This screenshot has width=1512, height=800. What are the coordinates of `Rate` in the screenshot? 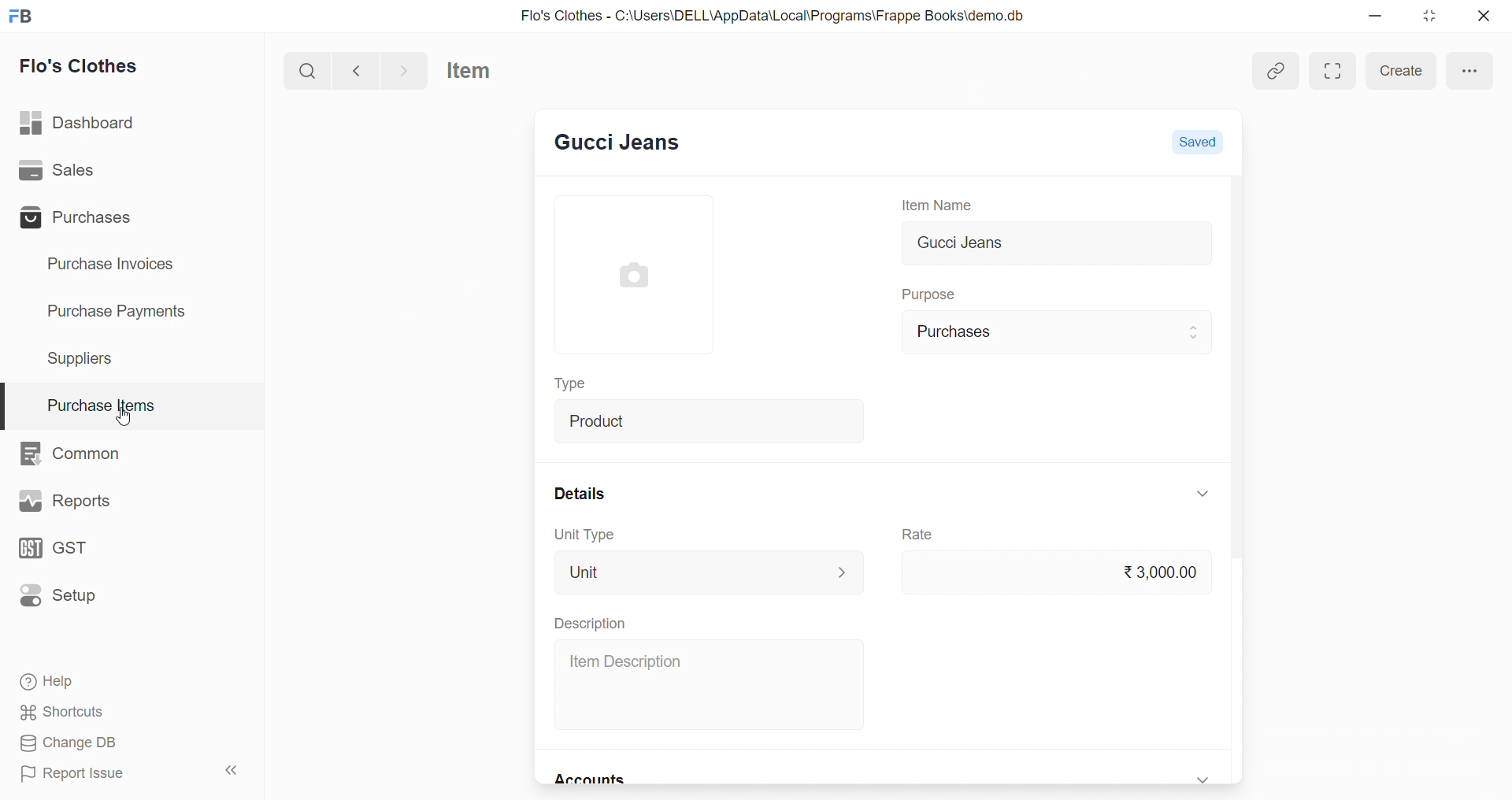 It's located at (920, 535).